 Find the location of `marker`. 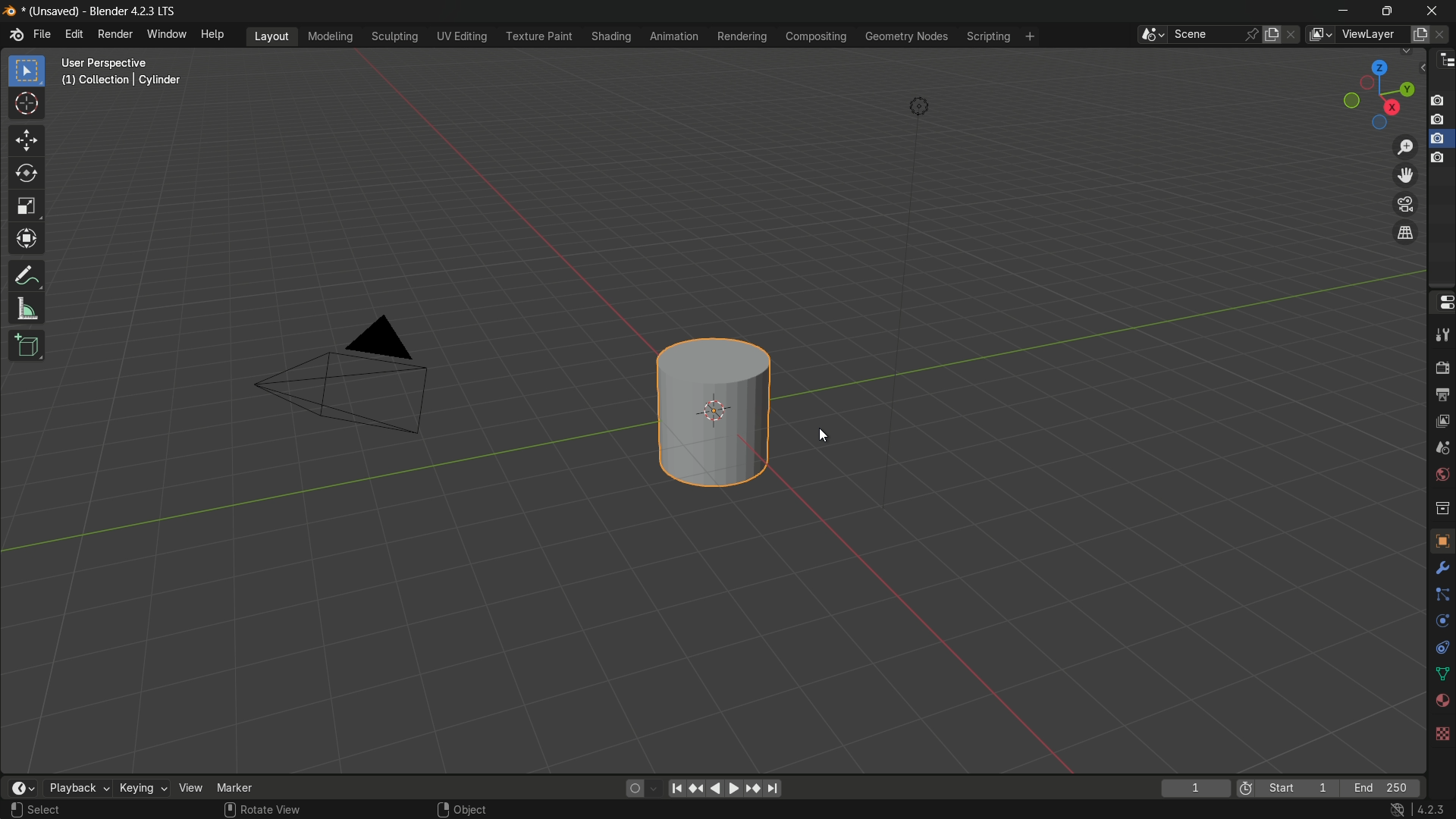

marker is located at coordinates (234, 788).